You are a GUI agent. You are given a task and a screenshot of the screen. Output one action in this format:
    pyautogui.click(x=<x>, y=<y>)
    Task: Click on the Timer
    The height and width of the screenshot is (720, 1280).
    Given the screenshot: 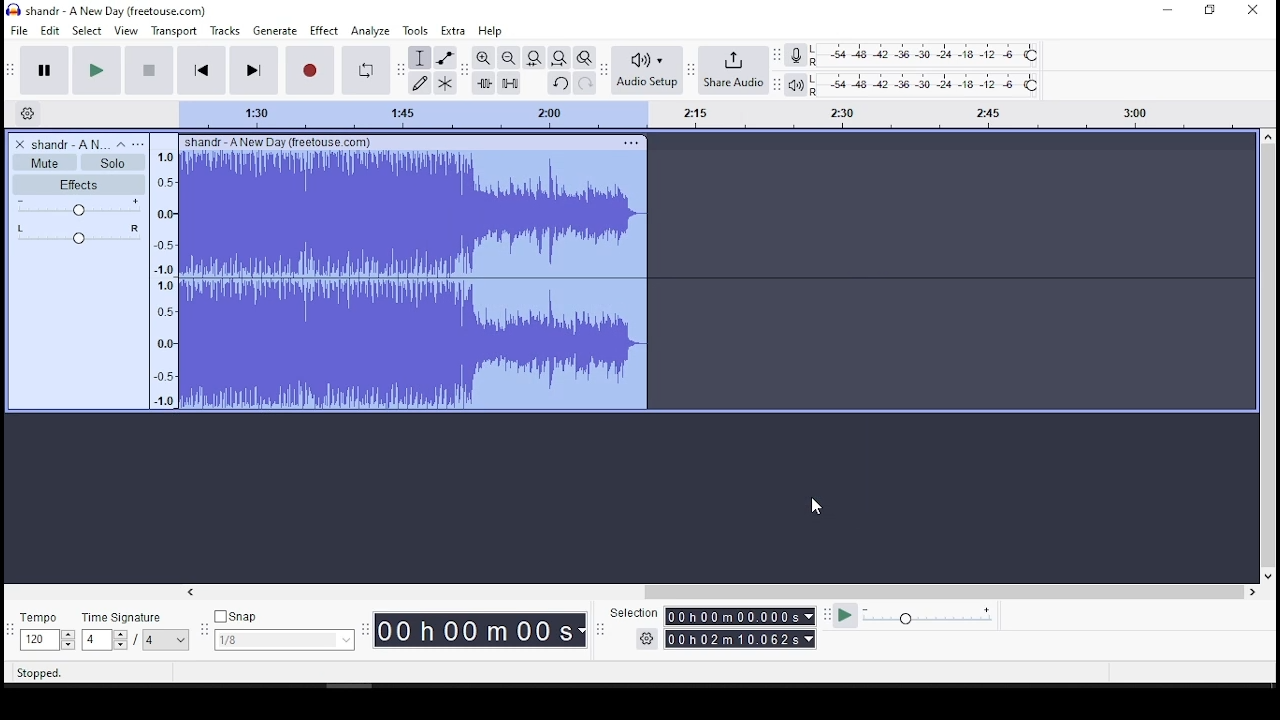 What is the action you would take?
    pyautogui.click(x=477, y=631)
    